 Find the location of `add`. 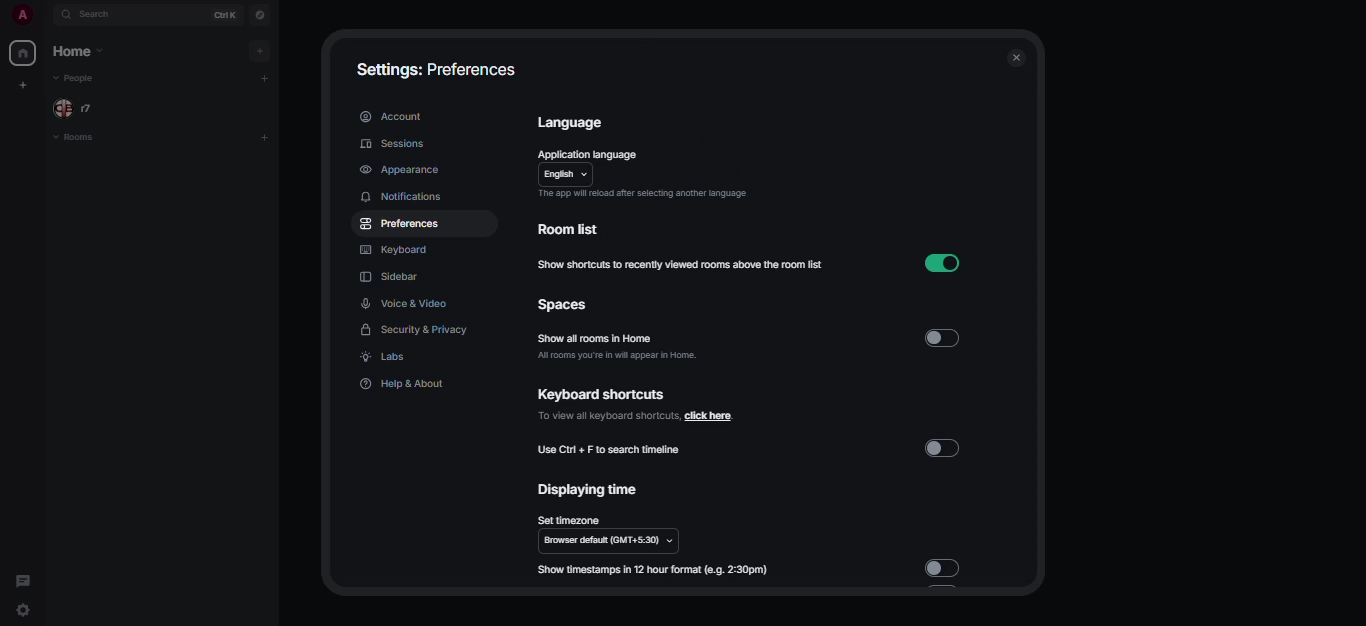

add is located at coordinates (266, 135).